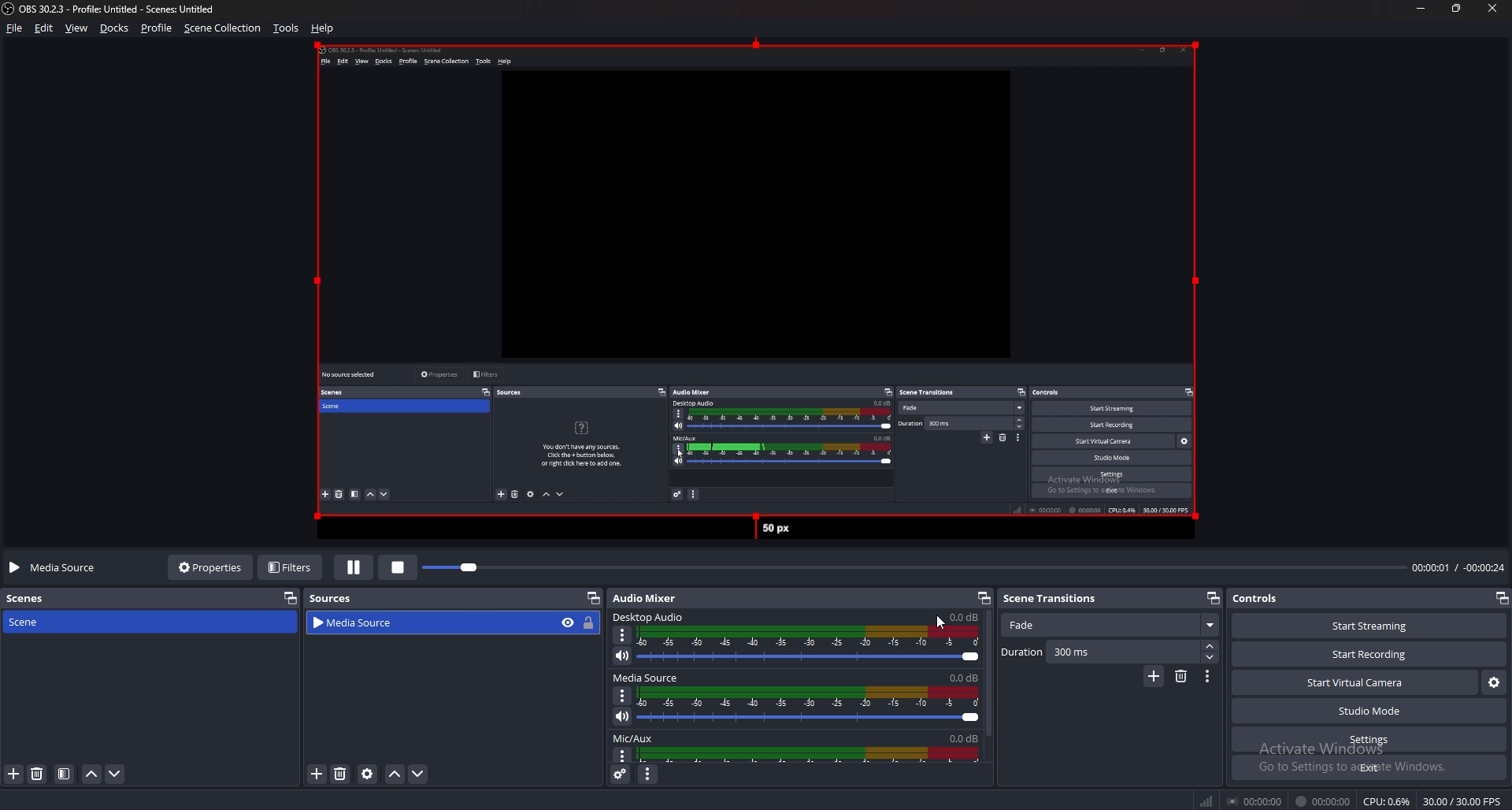  Describe the element at coordinates (1386, 801) in the screenshot. I see `CPU: 0.6%` at that location.